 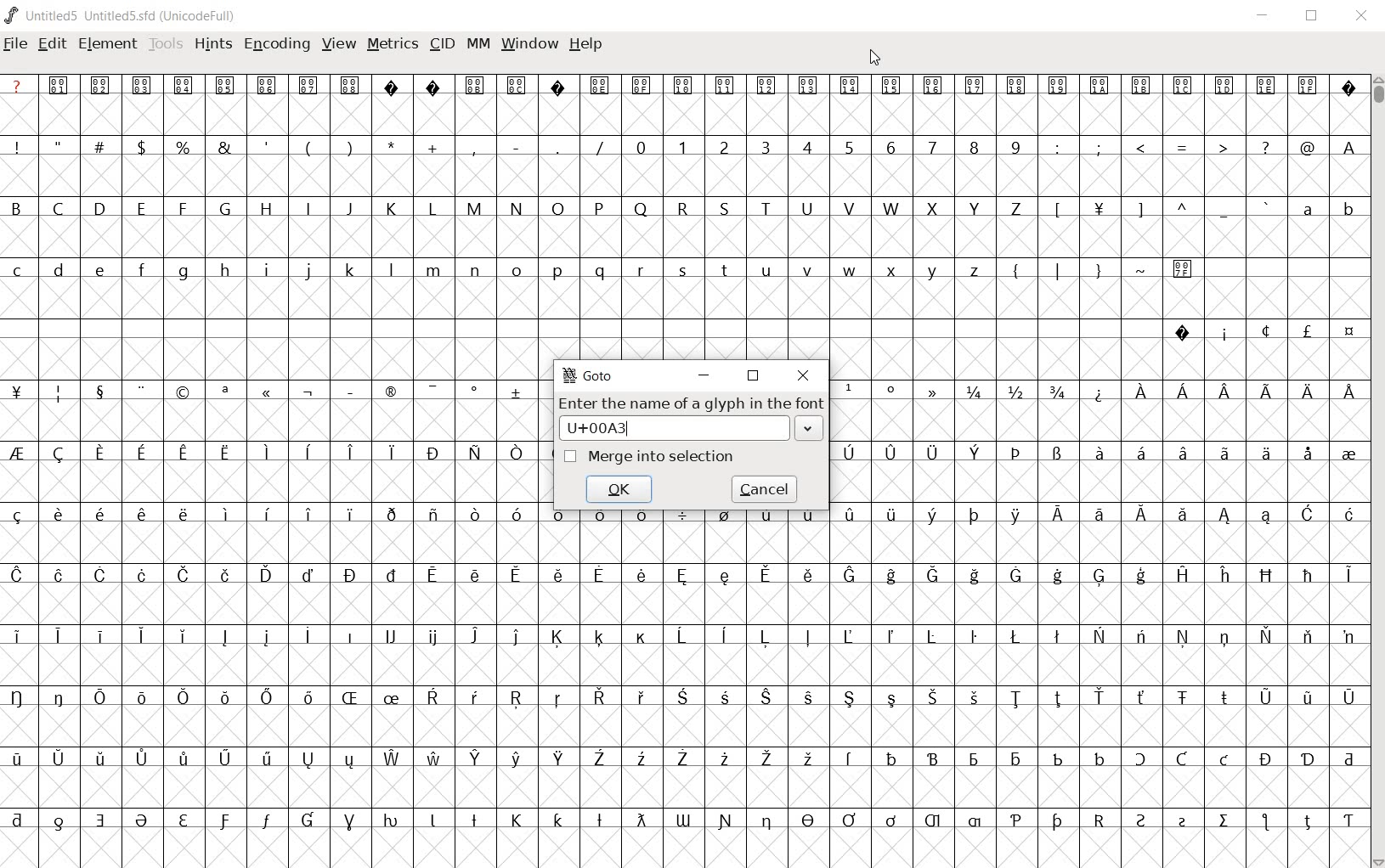 I want to click on |, so click(x=1054, y=269).